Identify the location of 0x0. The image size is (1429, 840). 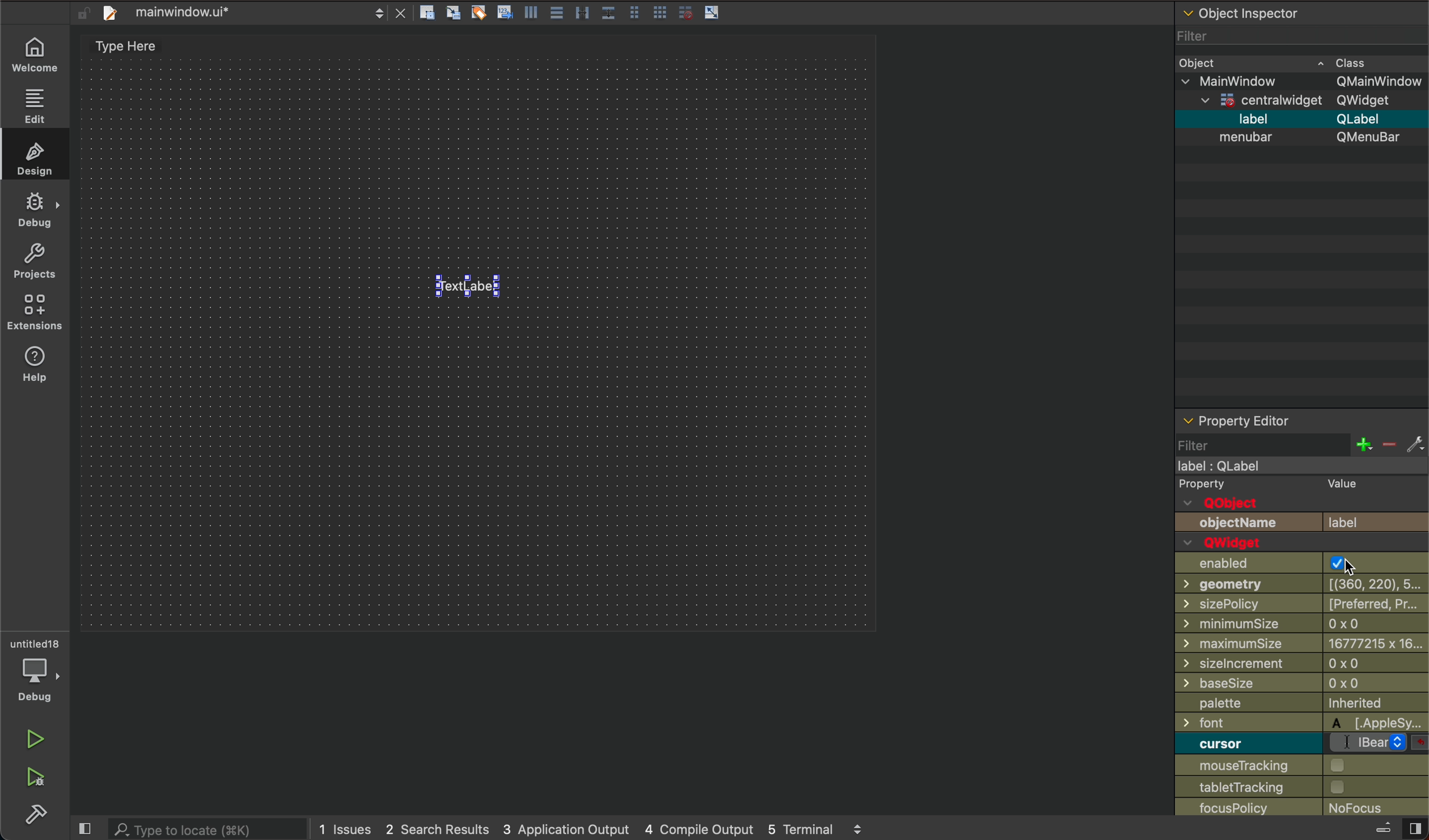
(1365, 684).